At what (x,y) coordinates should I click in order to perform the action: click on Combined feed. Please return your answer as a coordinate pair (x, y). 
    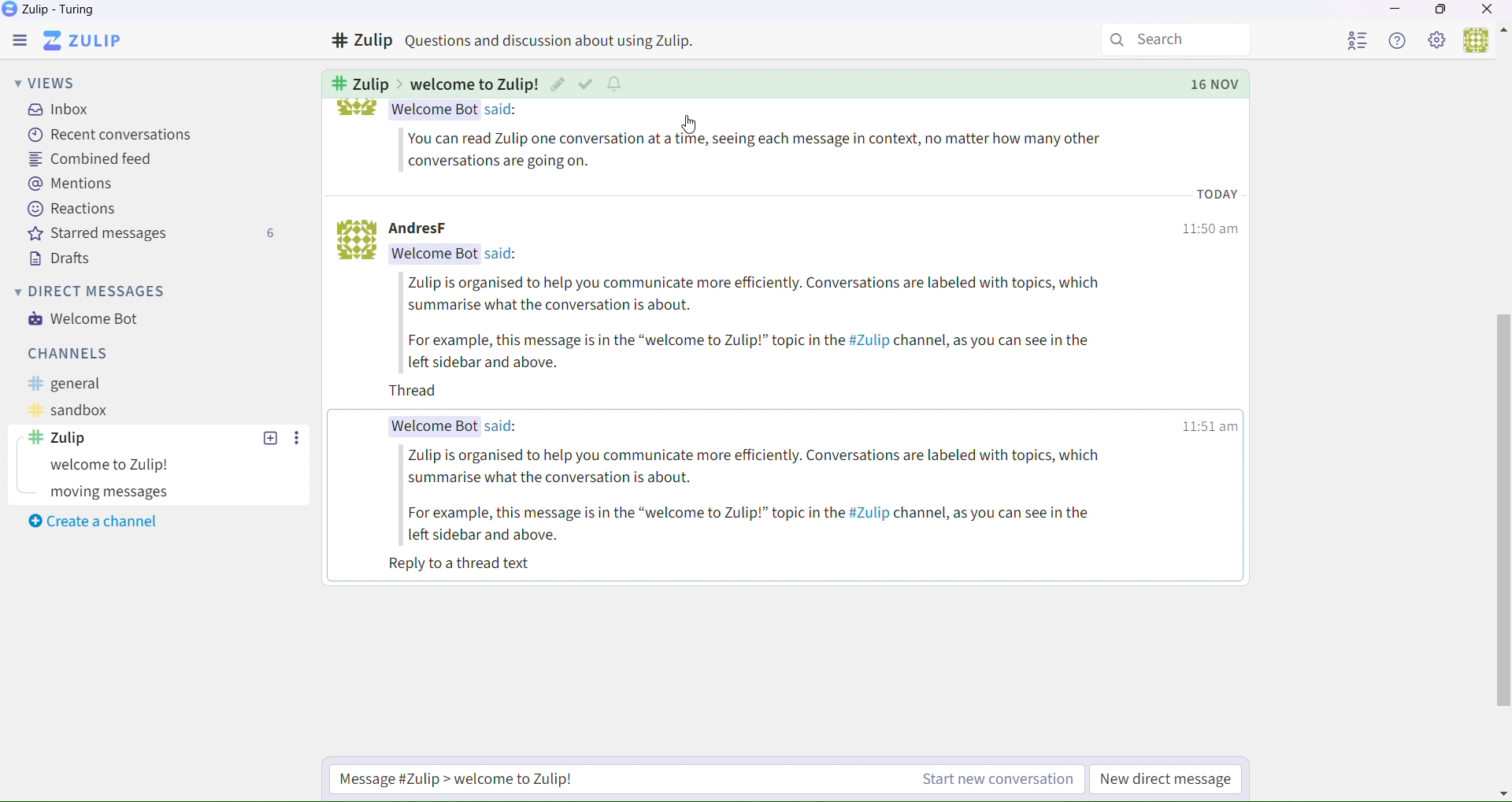
    Looking at the image, I should click on (90, 160).